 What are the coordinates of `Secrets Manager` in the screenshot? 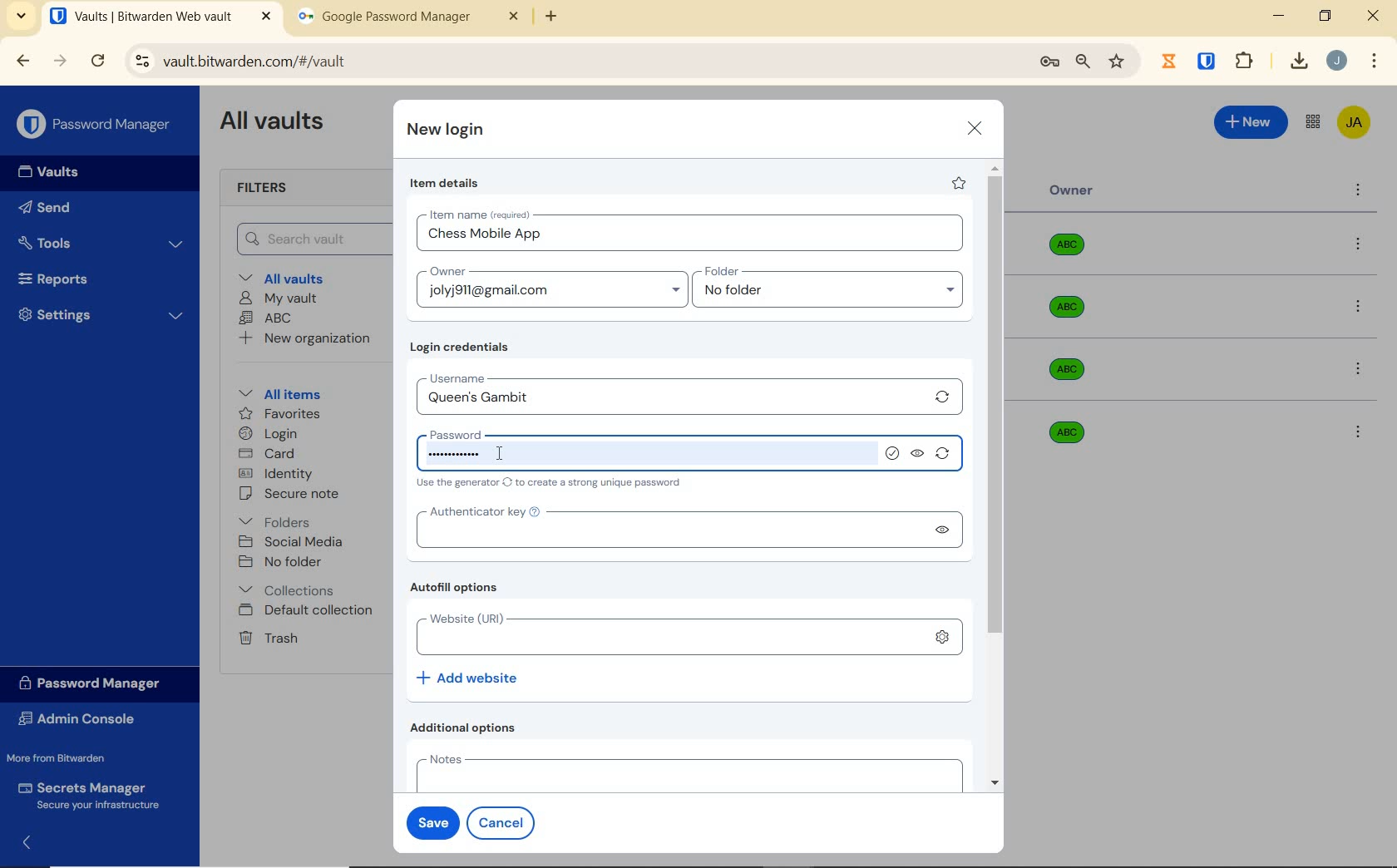 It's located at (86, 796).